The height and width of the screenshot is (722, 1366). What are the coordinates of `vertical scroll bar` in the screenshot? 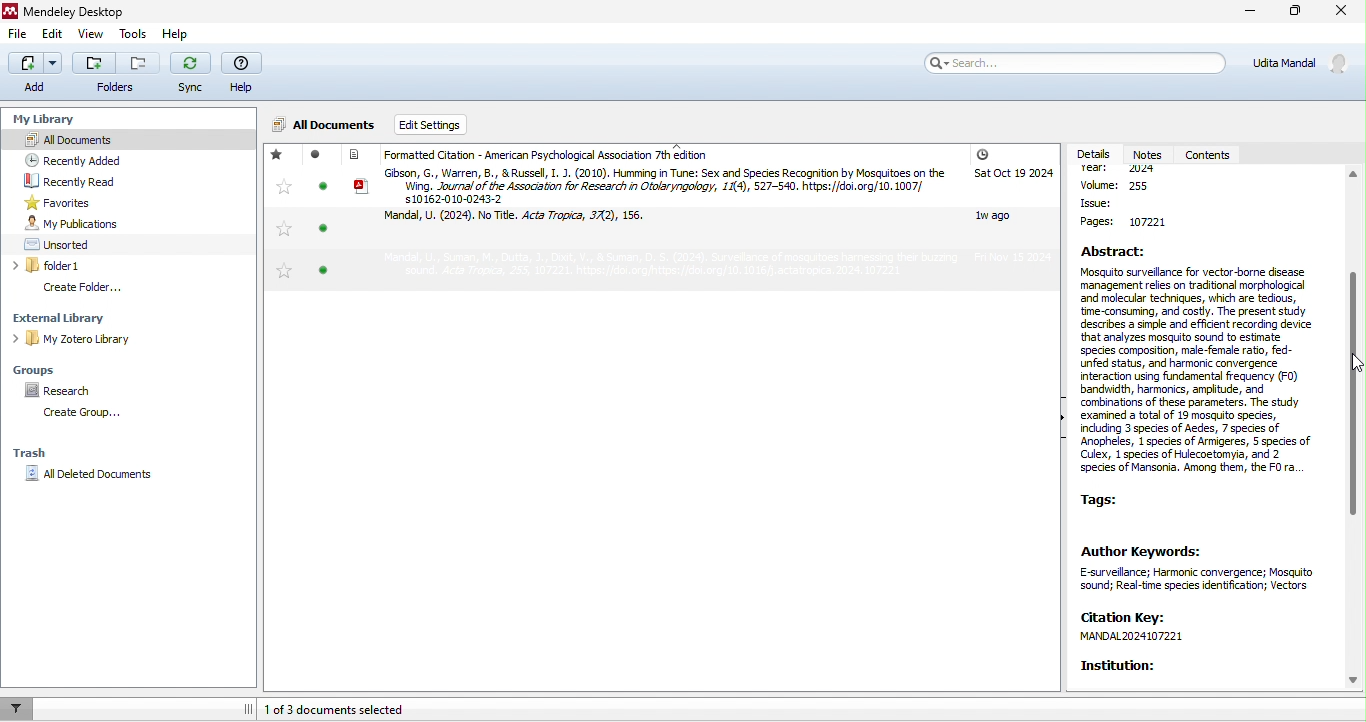 It's located at (1353, 386).